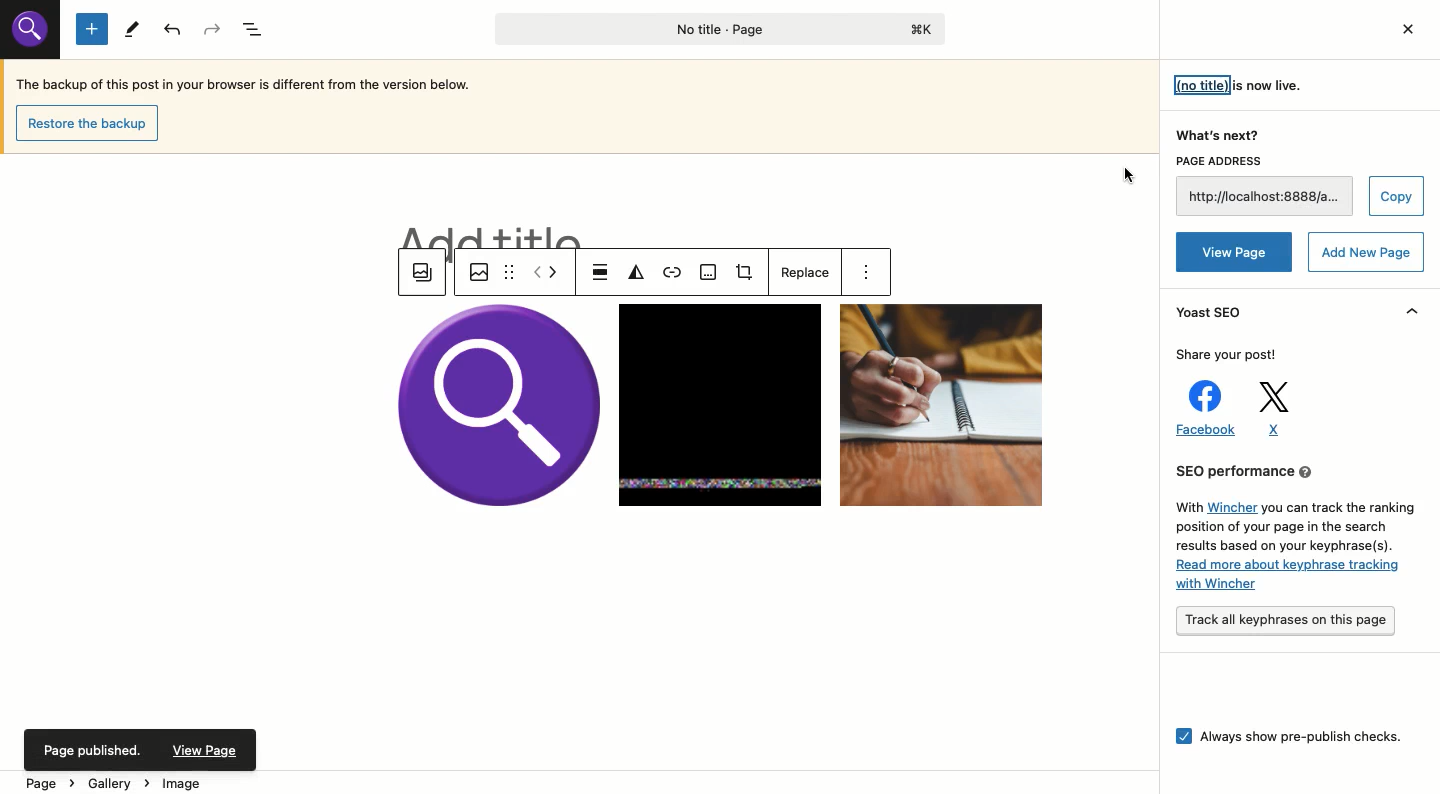  Describe the element at coordinates (174, 31) in the screenshot. I see `Undo` at that location.